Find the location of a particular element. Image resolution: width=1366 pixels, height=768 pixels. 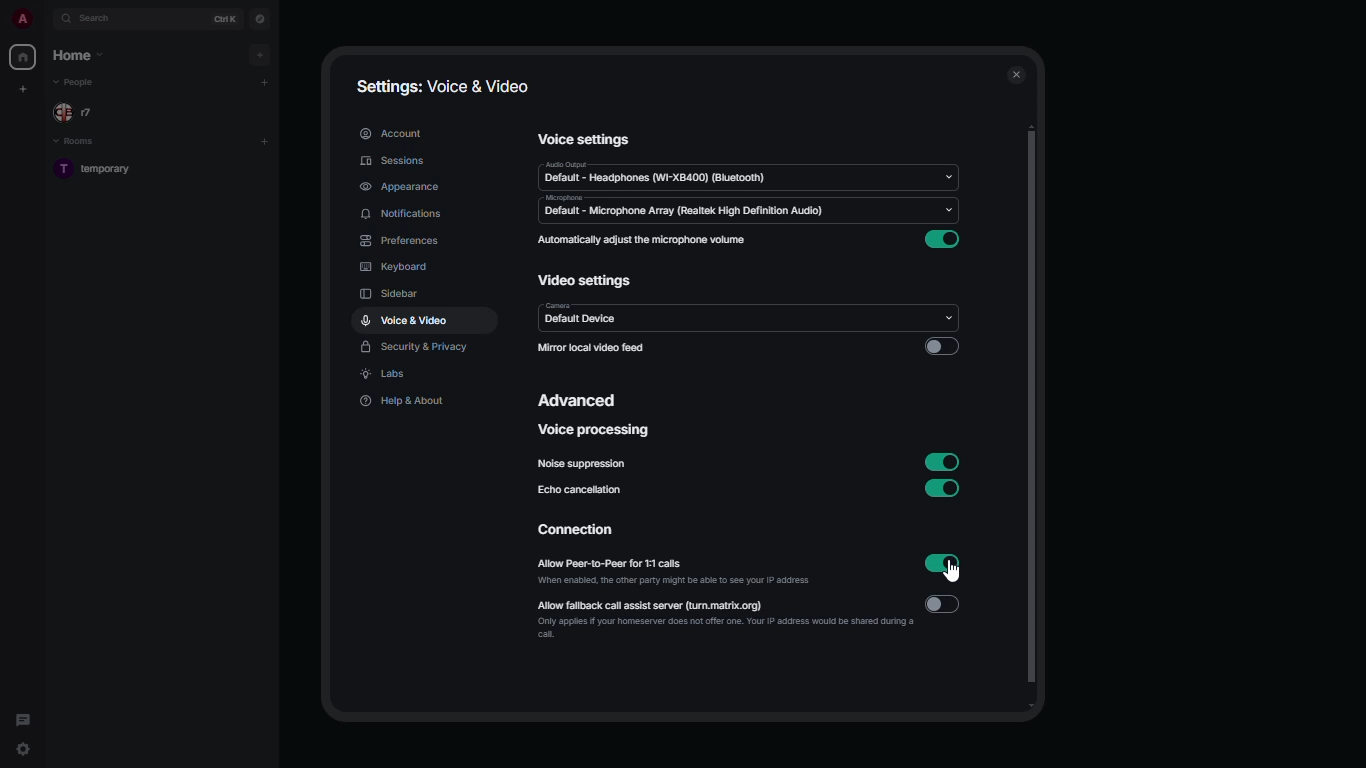

add is located at coordinates (265, 81).